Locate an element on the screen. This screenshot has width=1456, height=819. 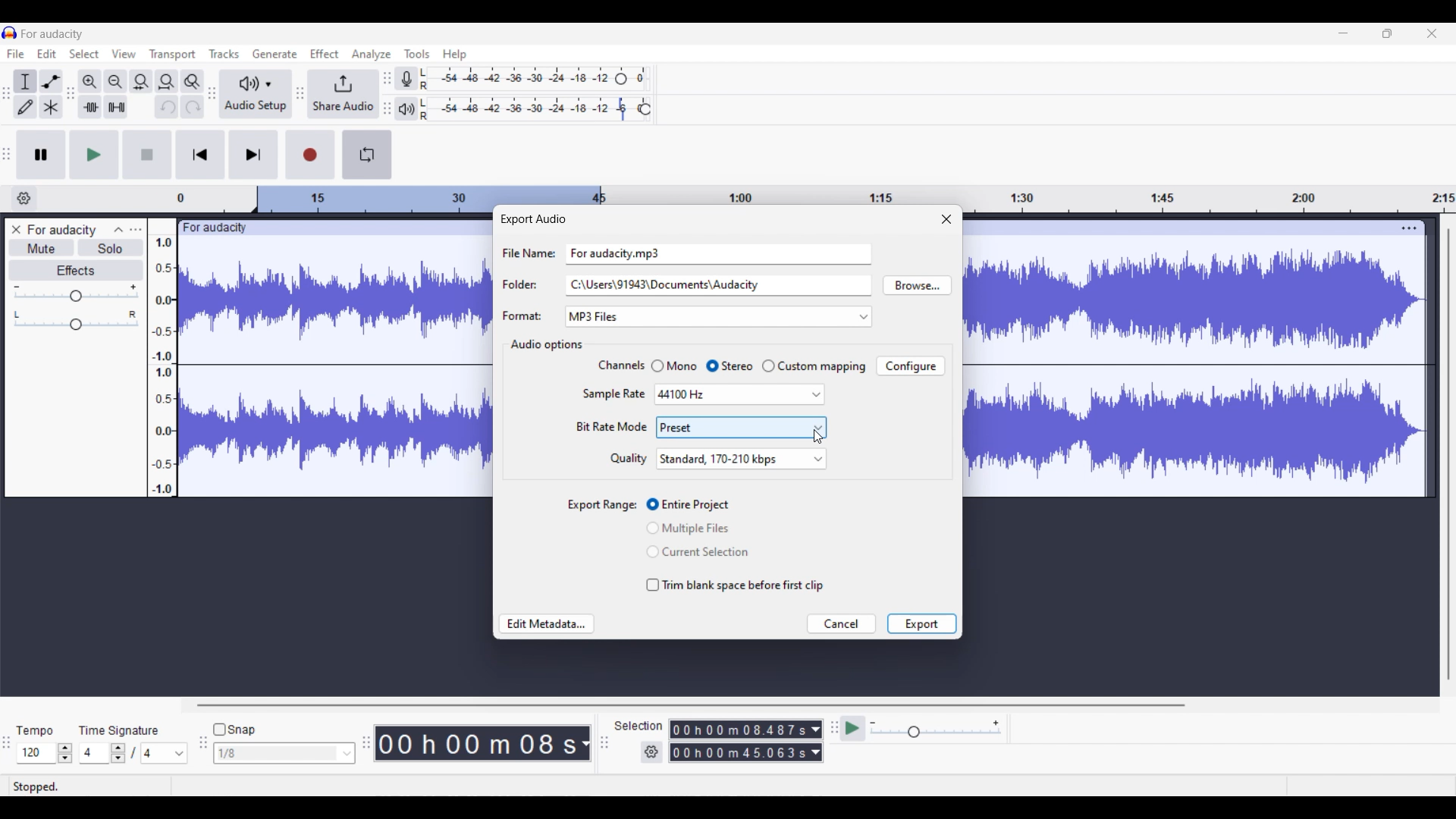
Toggle for Mono is located at coordinates (673, 366).